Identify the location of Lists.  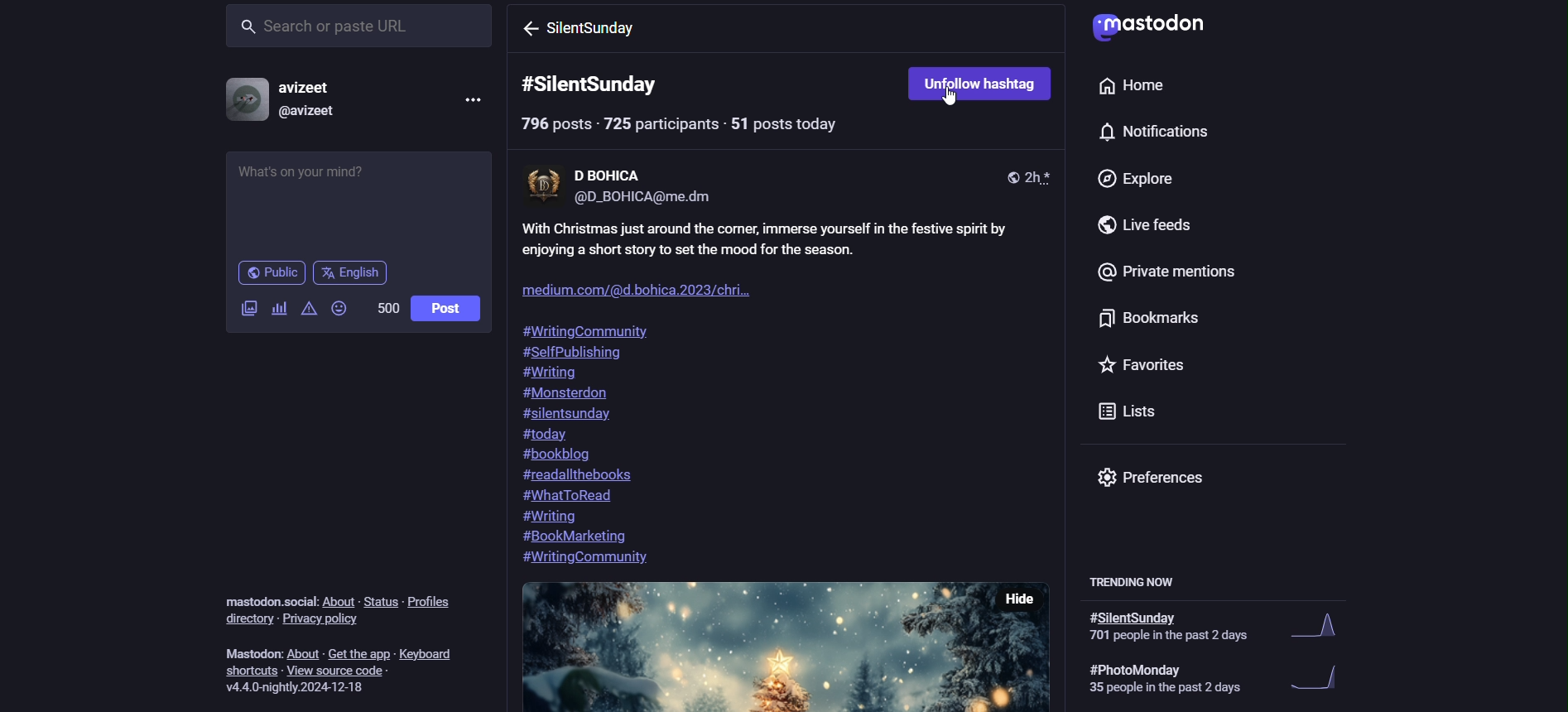
(1128, 410).